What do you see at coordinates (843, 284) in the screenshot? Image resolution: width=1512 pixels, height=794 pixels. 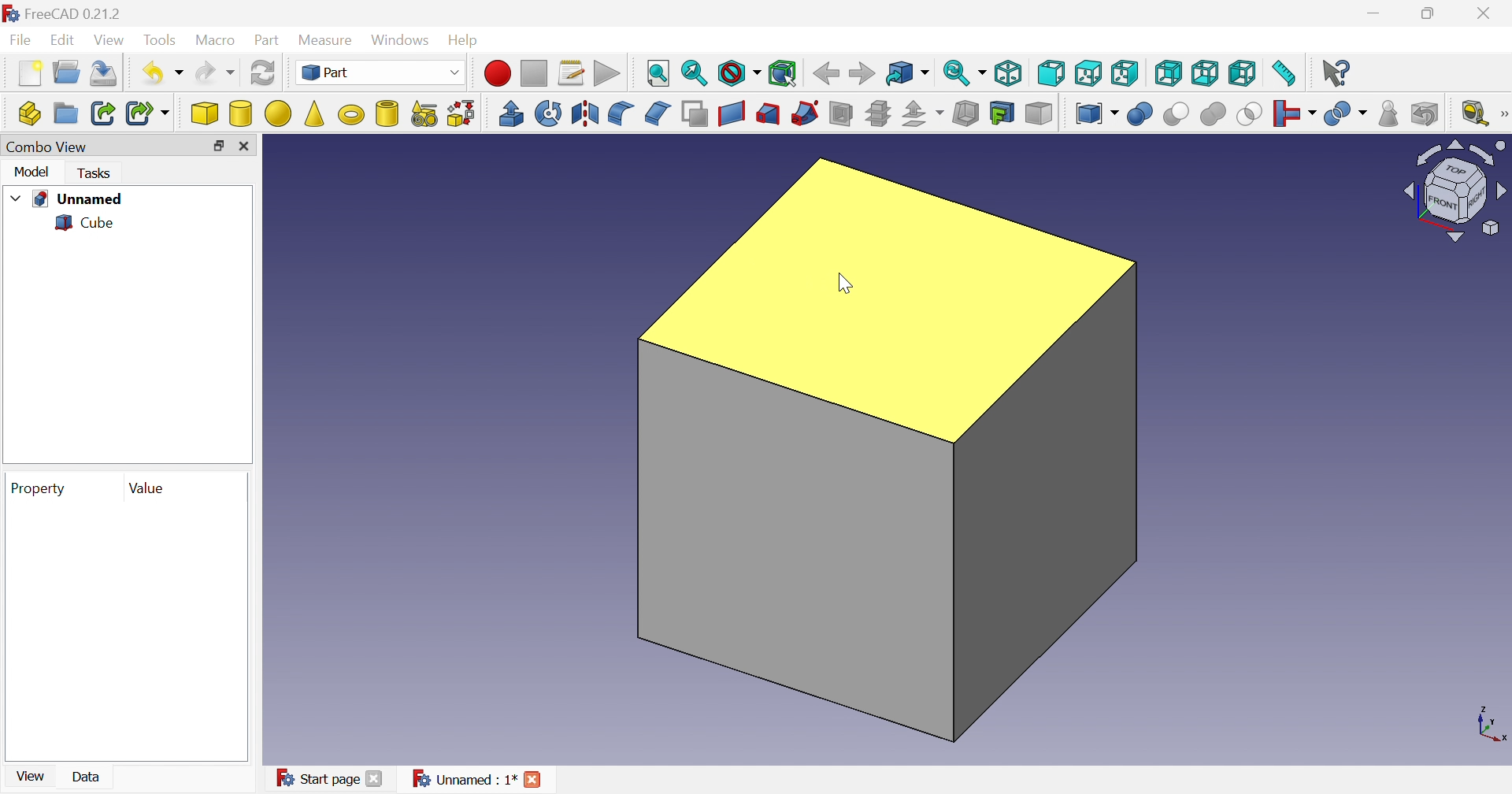 I see `cursor` at bounding box center [843, 284].